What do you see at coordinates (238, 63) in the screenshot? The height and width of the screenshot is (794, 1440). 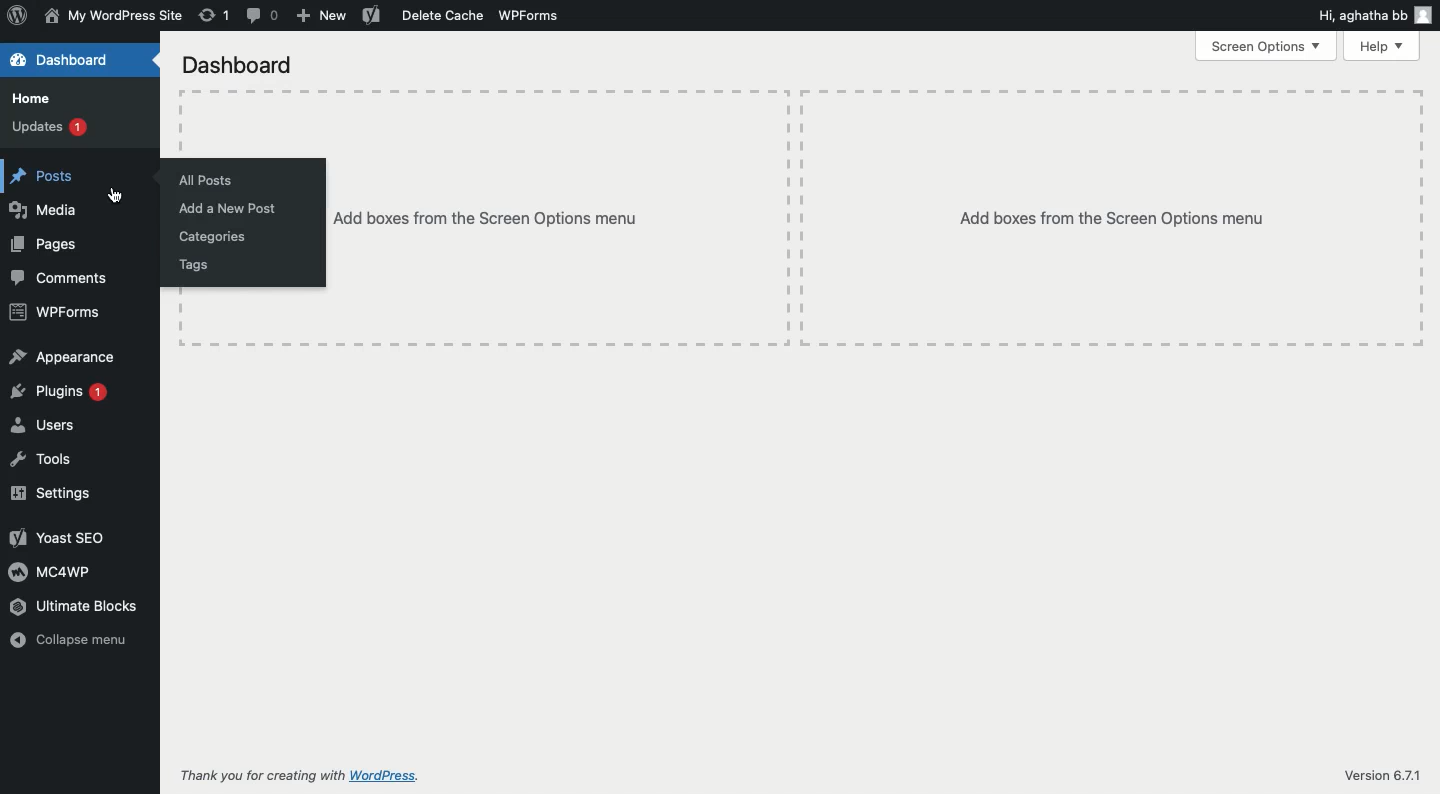 I see `Dashboard` at bounding box center [238, 63].